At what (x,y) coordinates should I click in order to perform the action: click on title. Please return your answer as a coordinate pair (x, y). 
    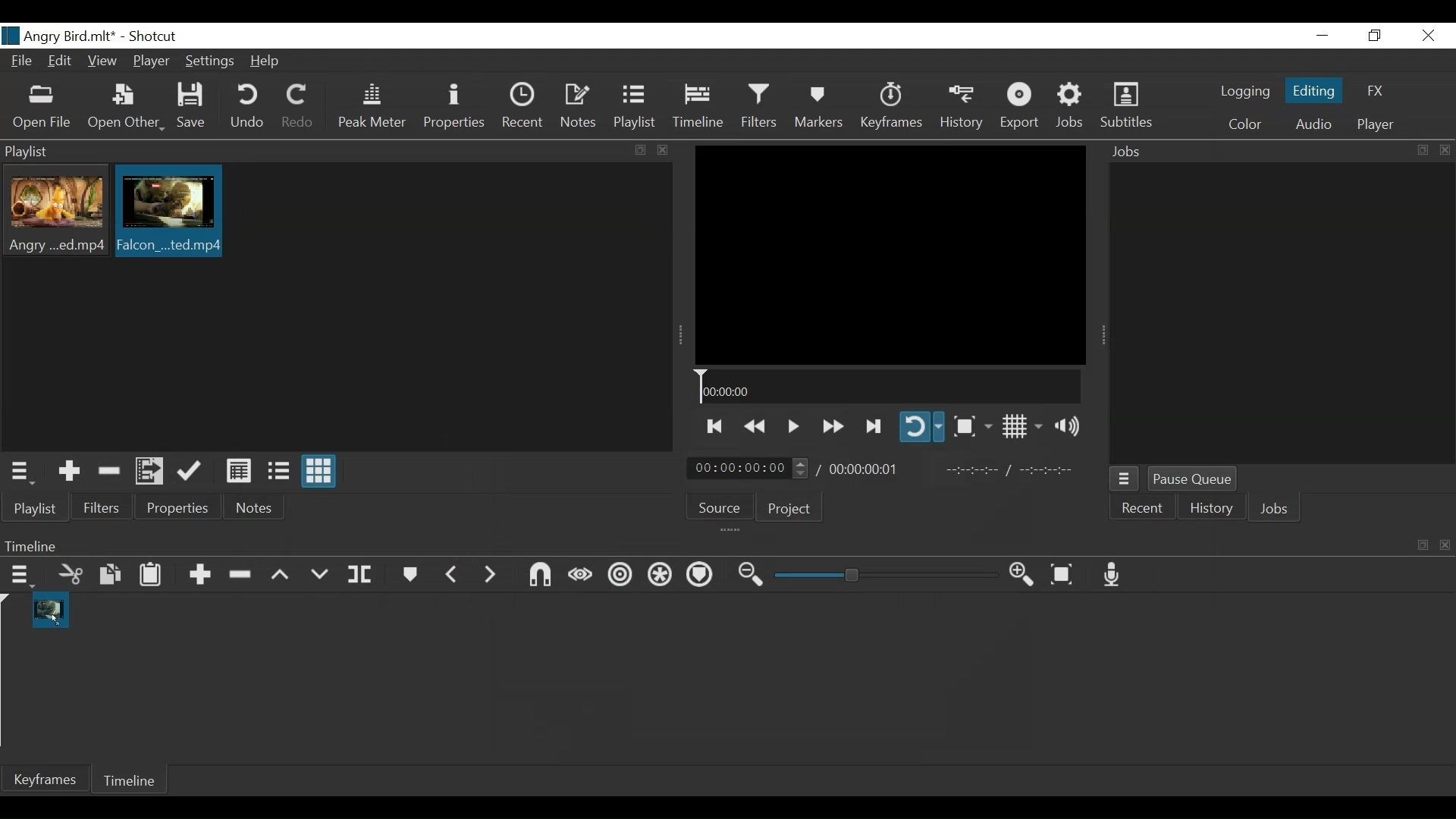
    Looking at the image, I should click on (104, 36).